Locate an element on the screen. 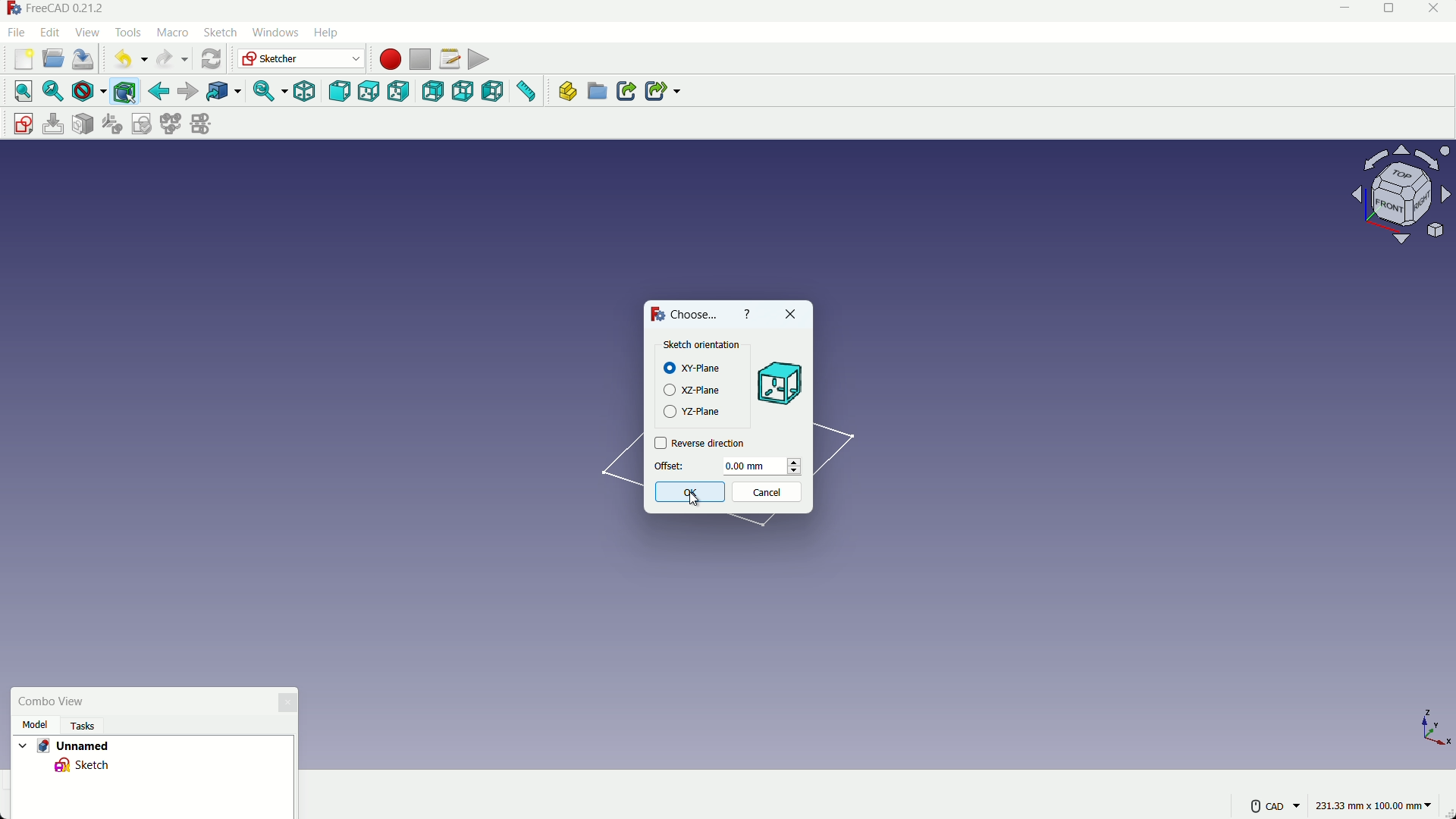  bottom view is located at coordinates (462, 91).